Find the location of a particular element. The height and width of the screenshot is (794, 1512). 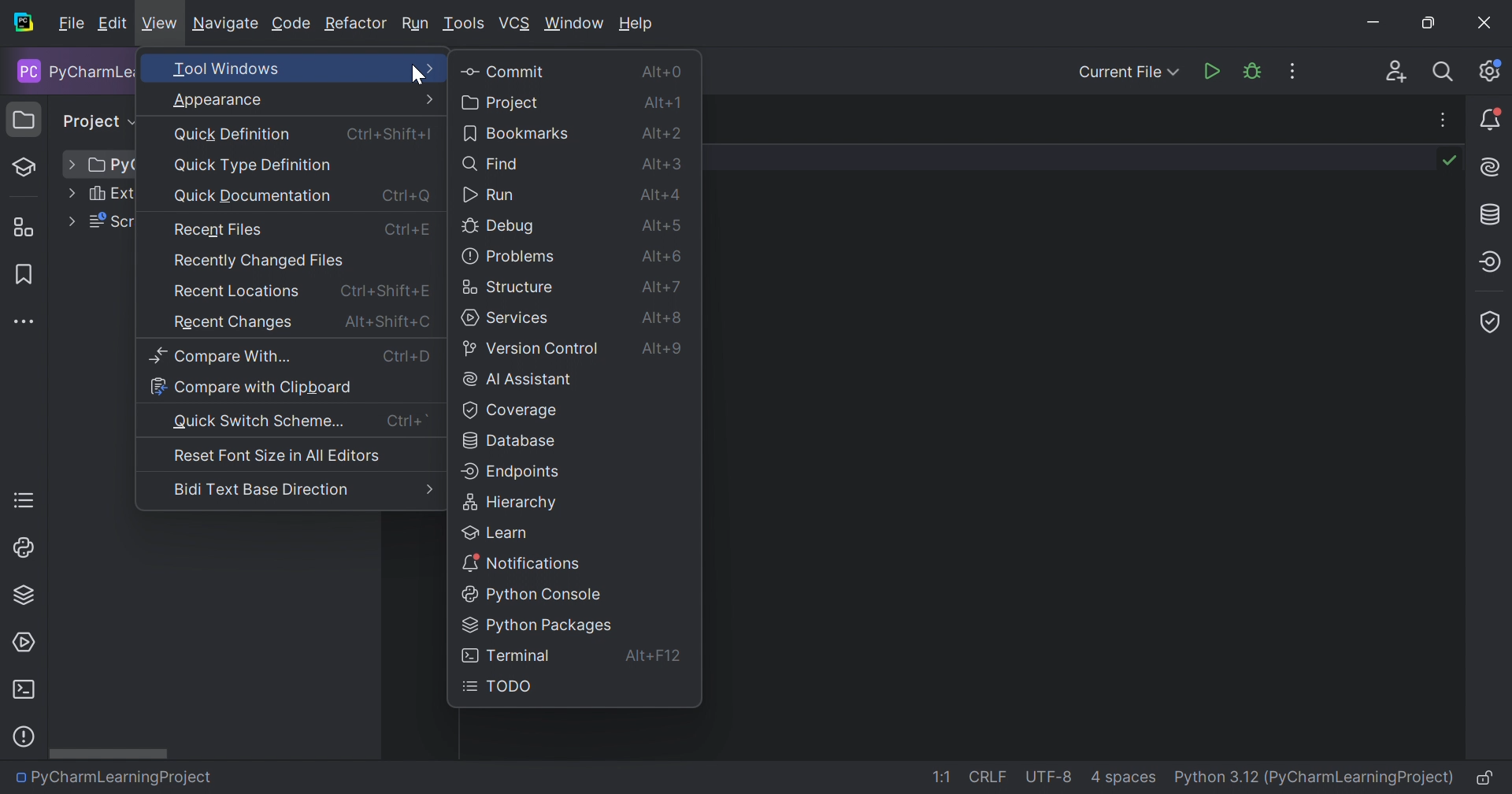

Project is located at coordinates (500, 102).